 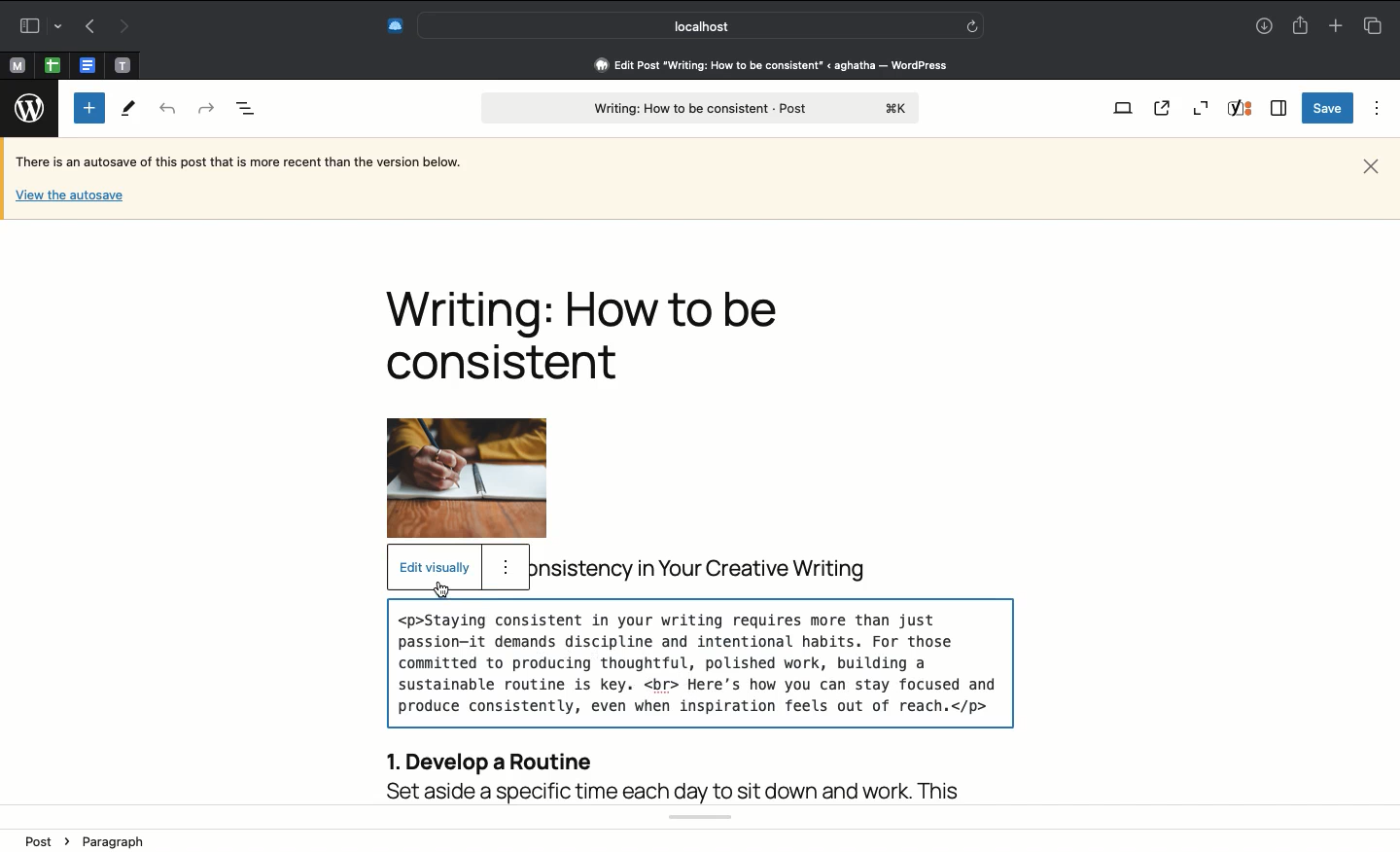 I want to click on Search bar, so click(x=701, y=25).